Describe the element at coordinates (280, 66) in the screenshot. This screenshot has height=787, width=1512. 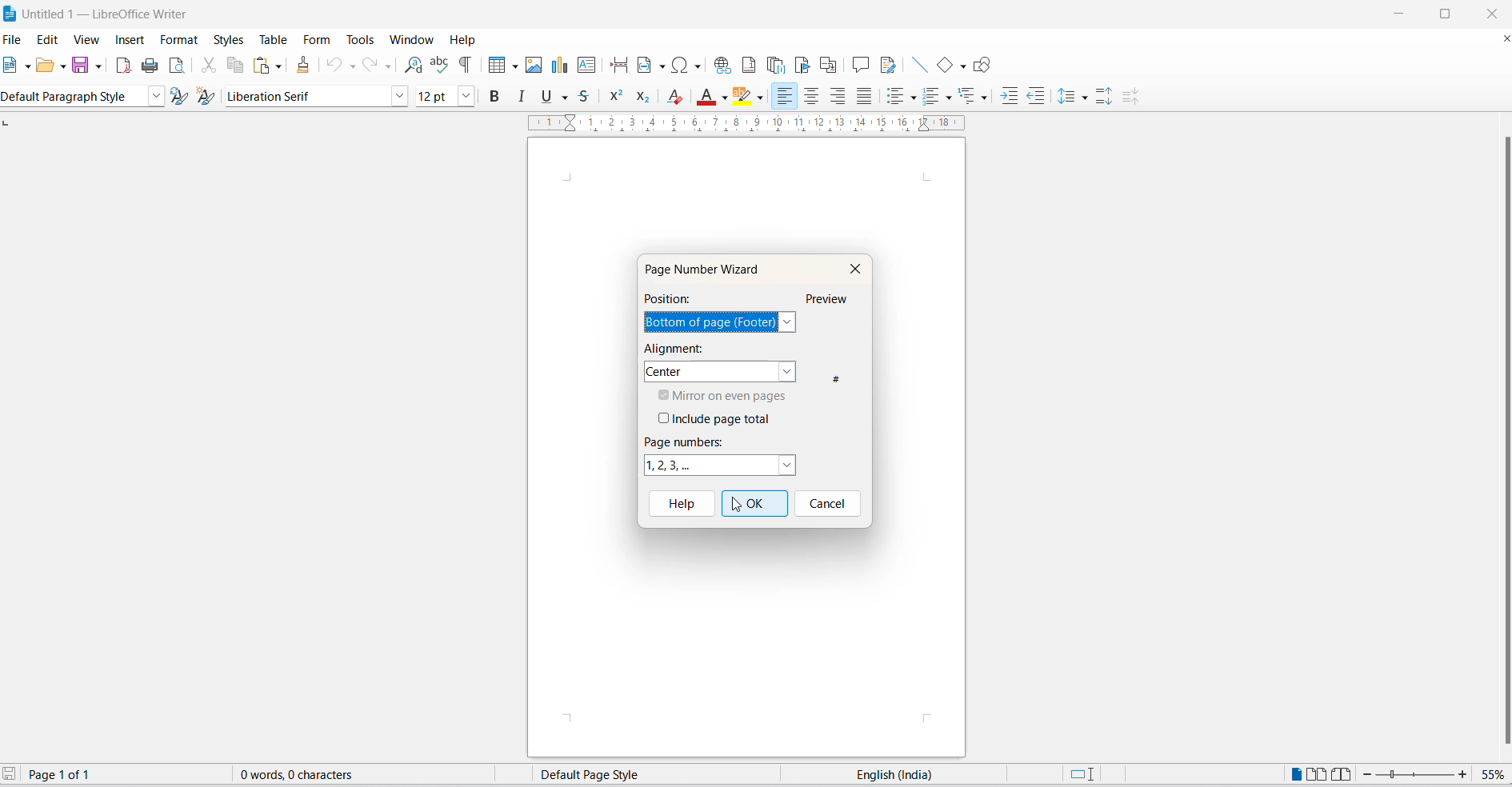
I see `paste options` at that location.